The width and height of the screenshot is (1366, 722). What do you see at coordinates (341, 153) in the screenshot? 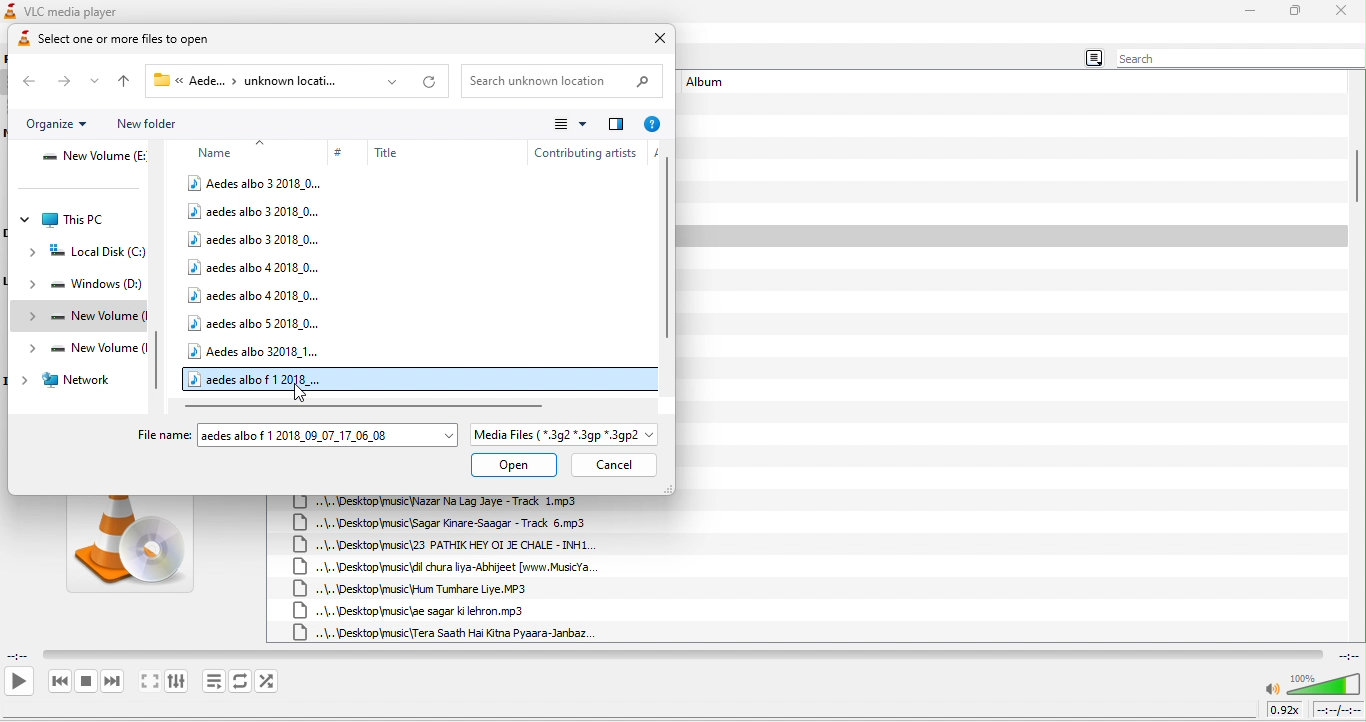
I see `#` at bounding box center [341, 153].